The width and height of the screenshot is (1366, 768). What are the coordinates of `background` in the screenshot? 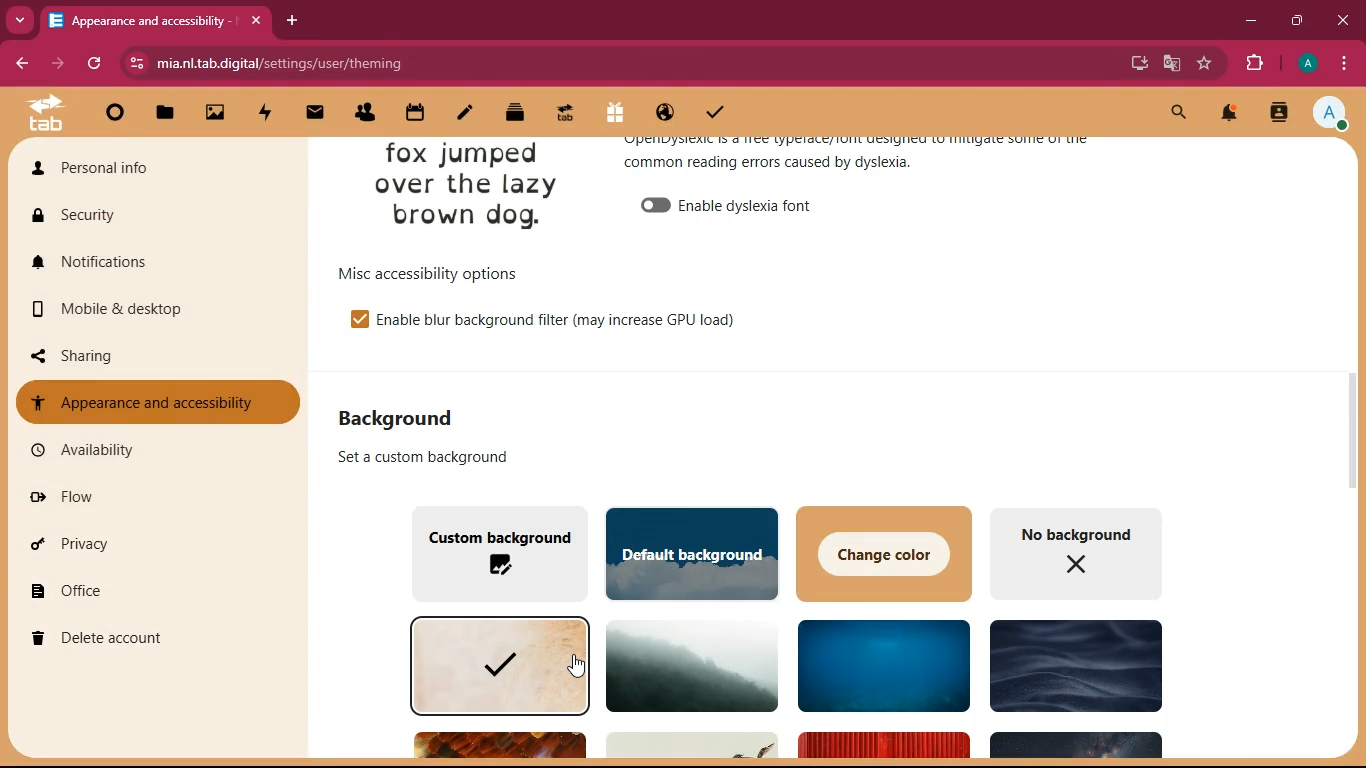 It's located at (879, 665).